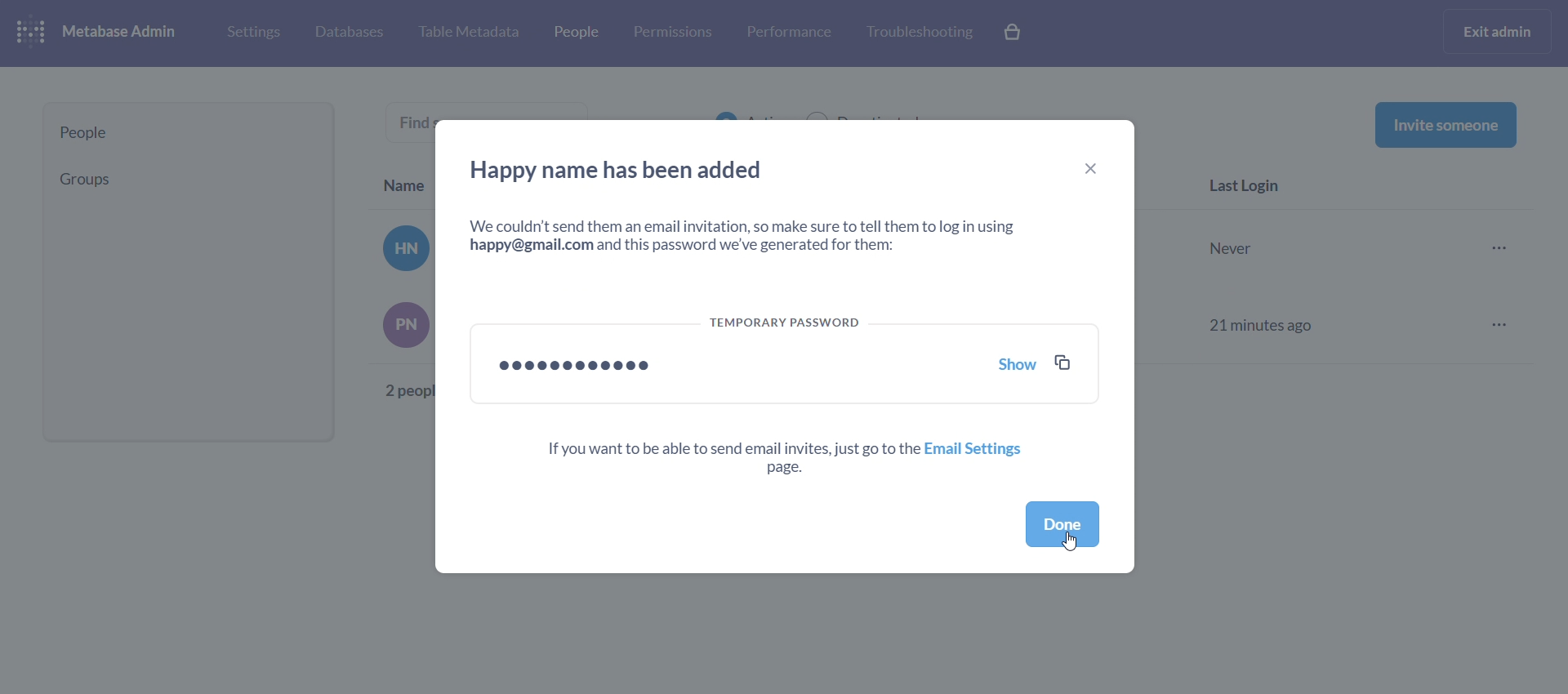 This screenshot has height=694, width=1568. What do you see at coordinates (419, 120) in the screenshot?
I see `text` at bounding box center [419, 120].